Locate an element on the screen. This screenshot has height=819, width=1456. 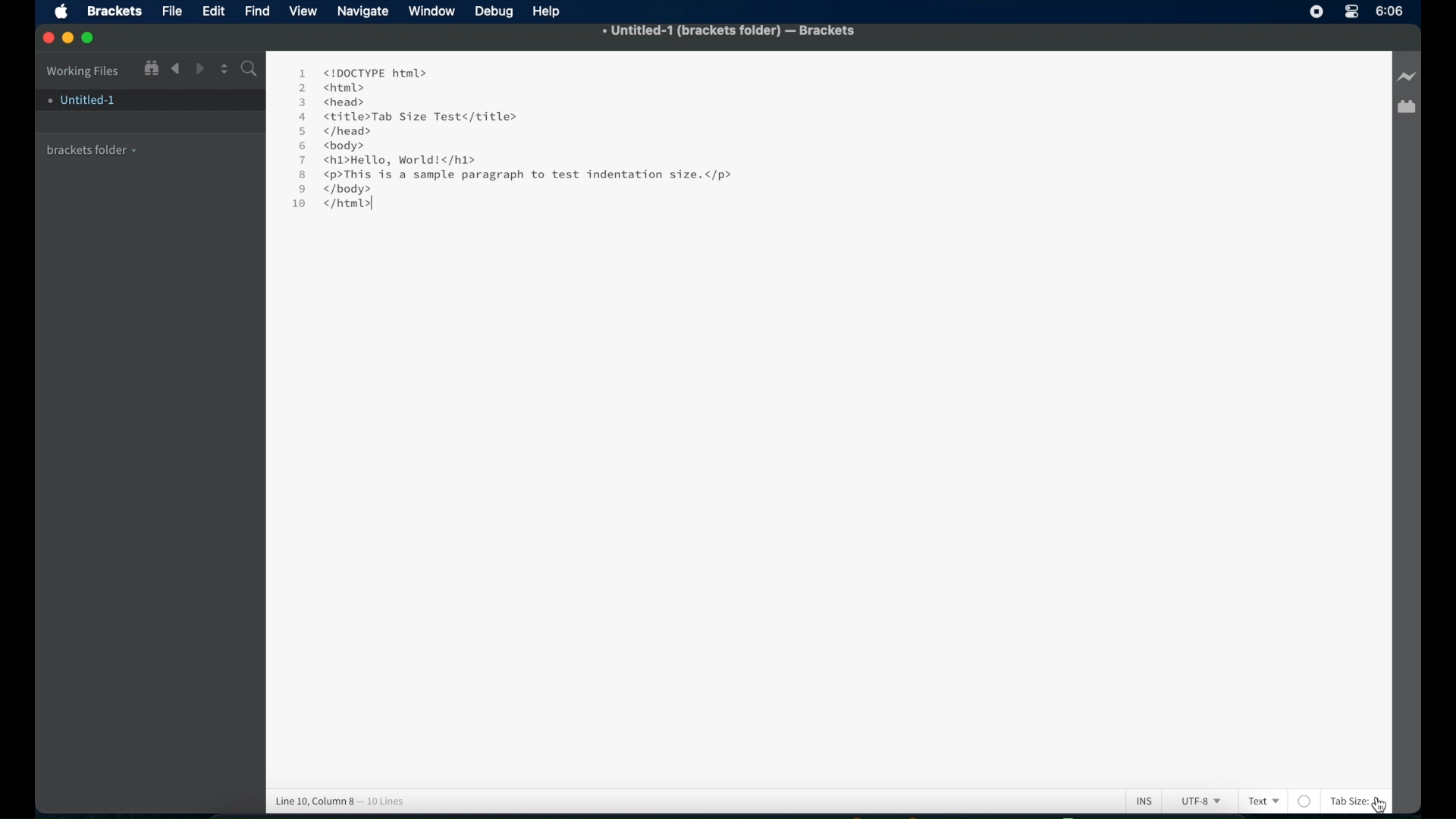
Working Files is located at coordinates (83, 69).